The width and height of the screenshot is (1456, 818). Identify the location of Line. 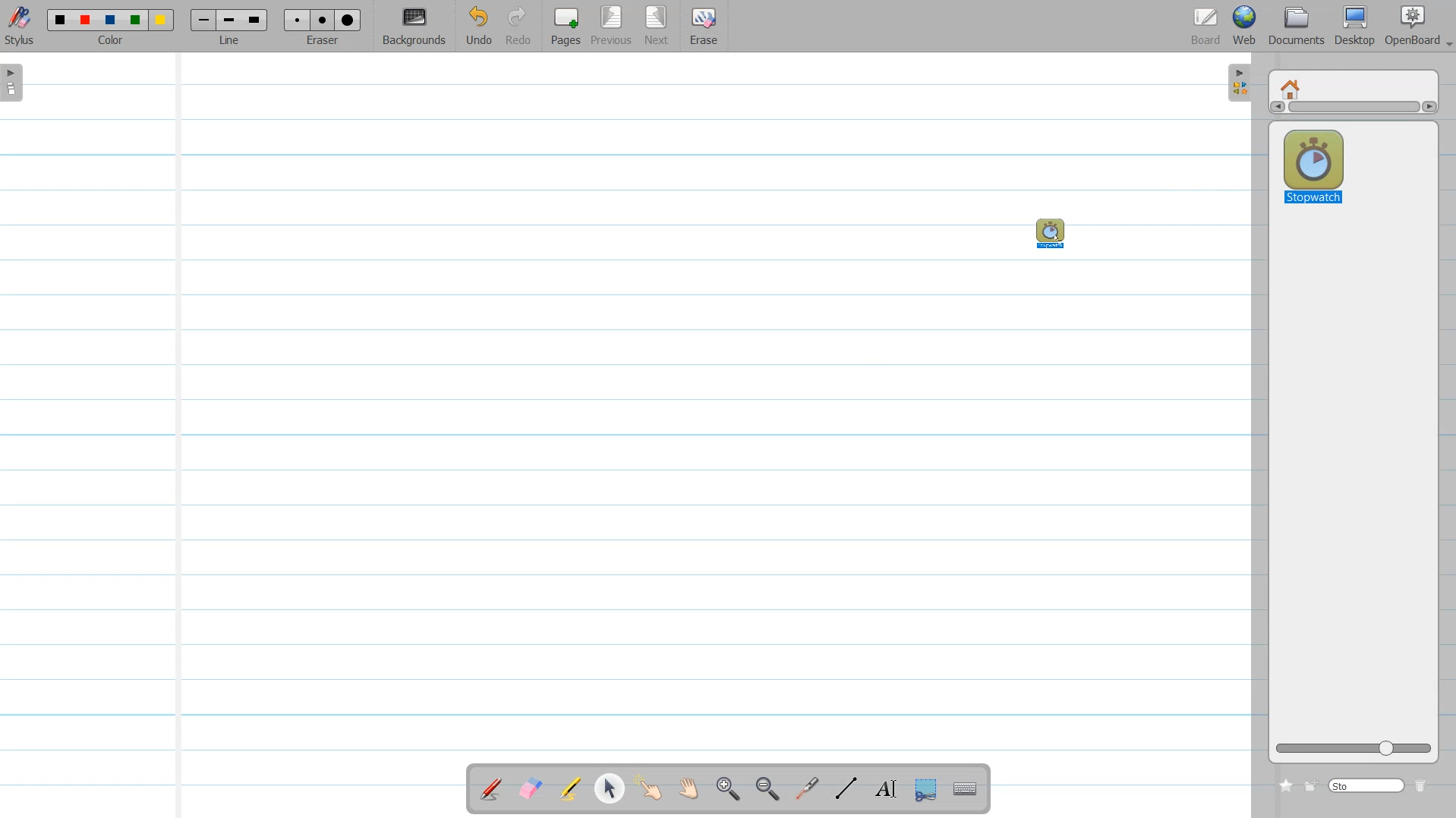
(229, 27).